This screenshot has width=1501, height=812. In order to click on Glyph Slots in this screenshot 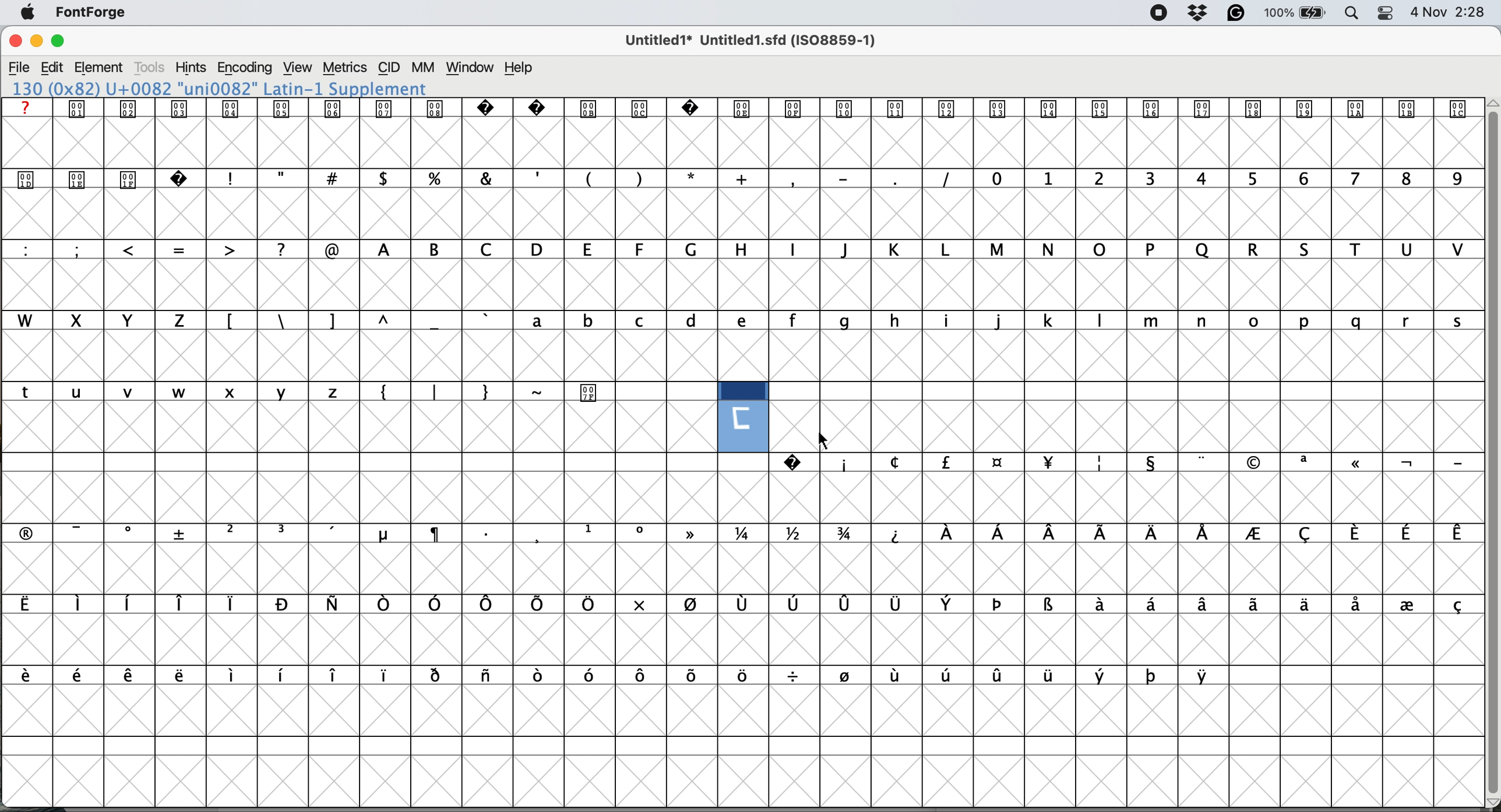, I will do `click(300, 393)`.